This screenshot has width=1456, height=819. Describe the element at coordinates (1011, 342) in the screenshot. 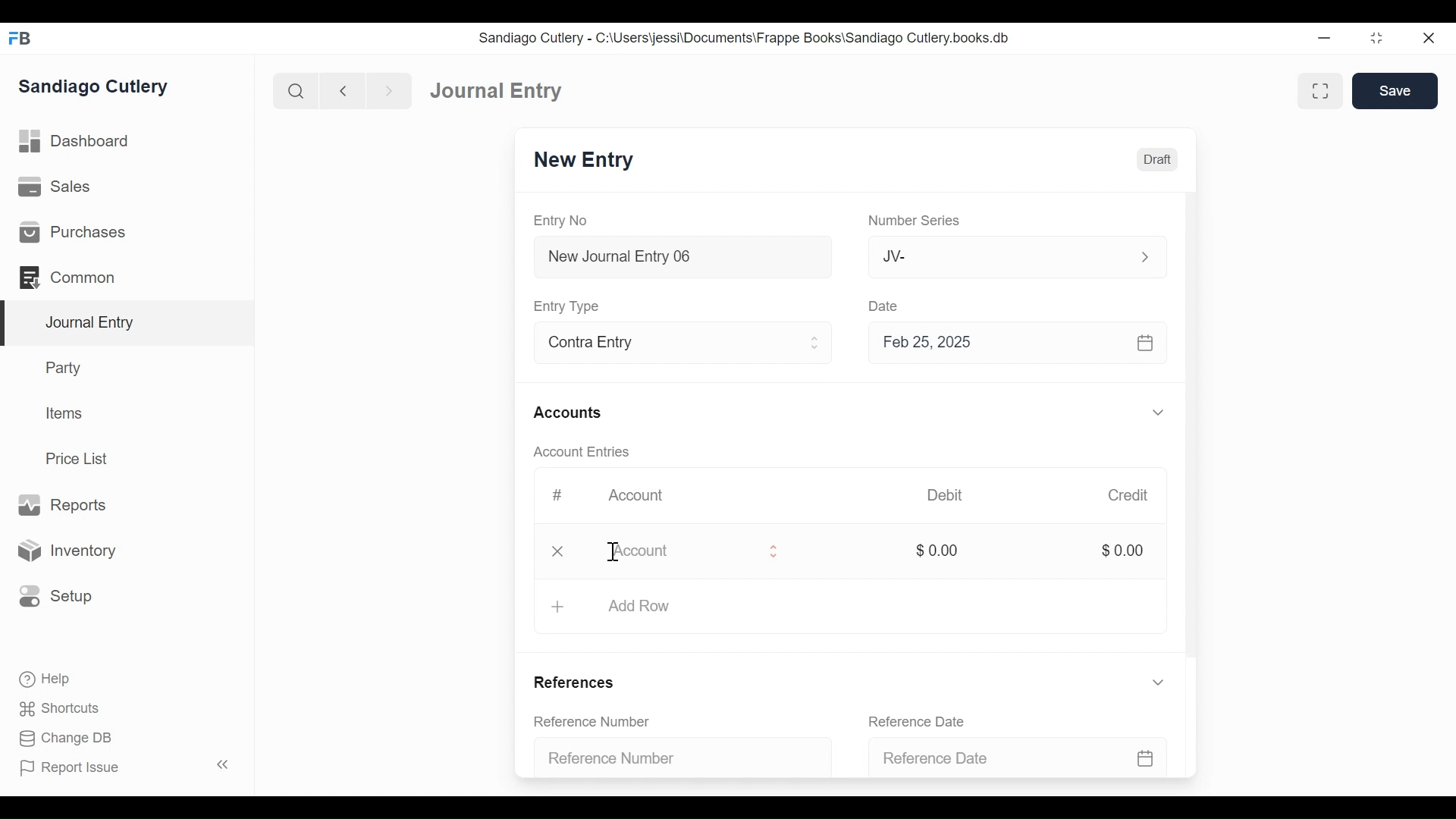

I see `Feb 25, 2025` at that location.